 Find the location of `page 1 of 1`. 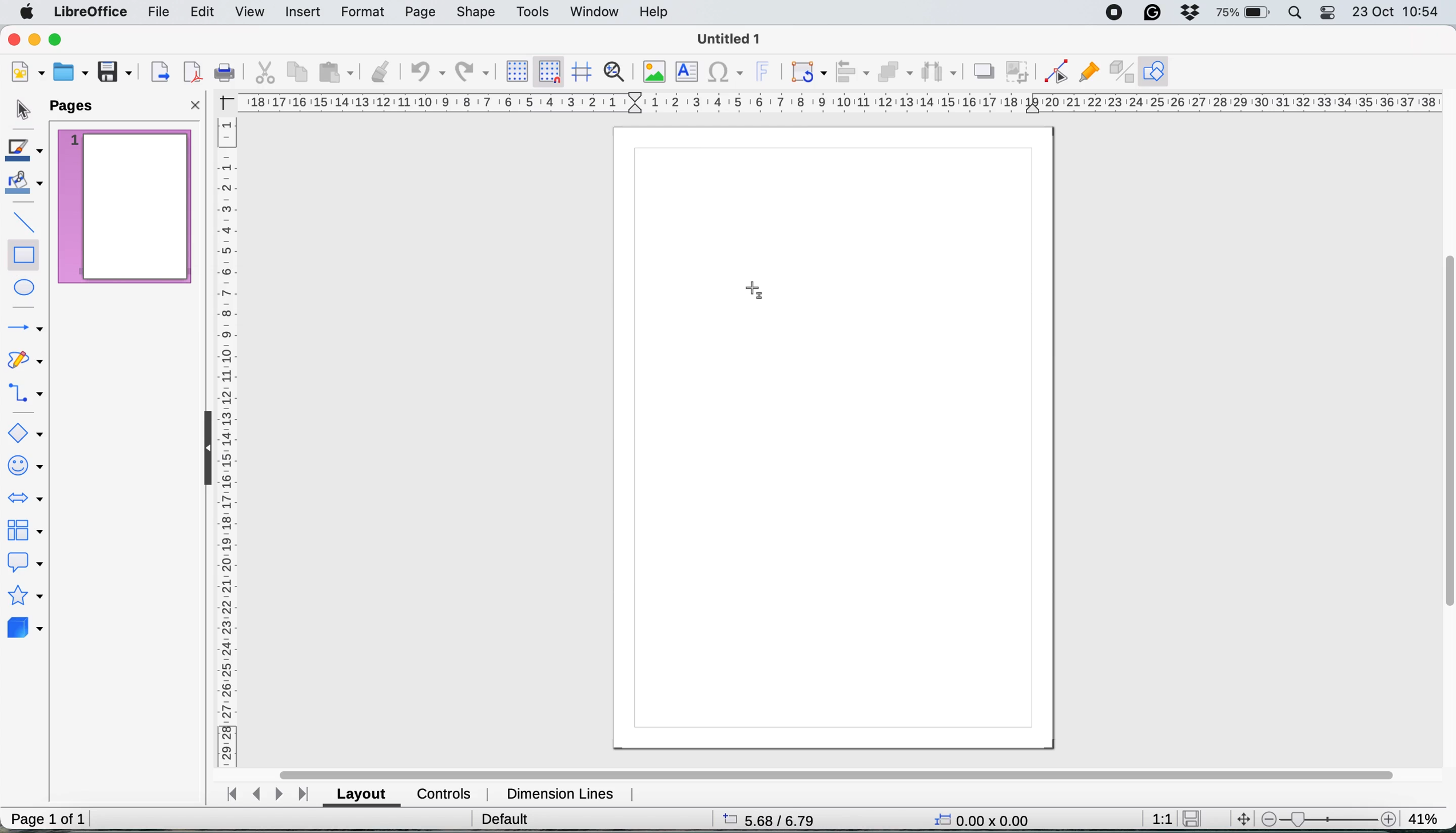

page 1 of 1 is located at coordinates (47, 819).